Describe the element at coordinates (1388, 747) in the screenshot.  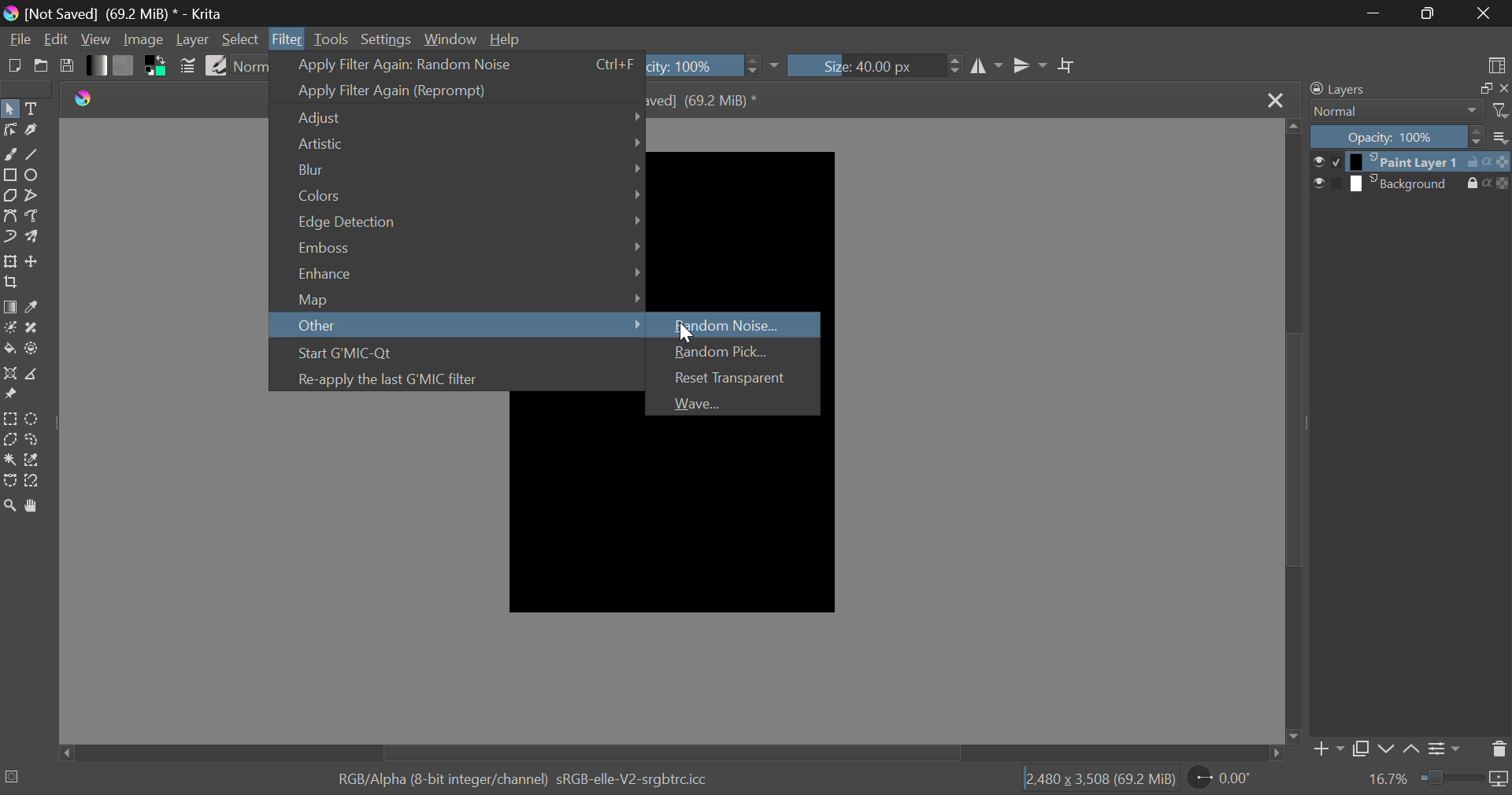
I see `Move Layer Down` at that location.